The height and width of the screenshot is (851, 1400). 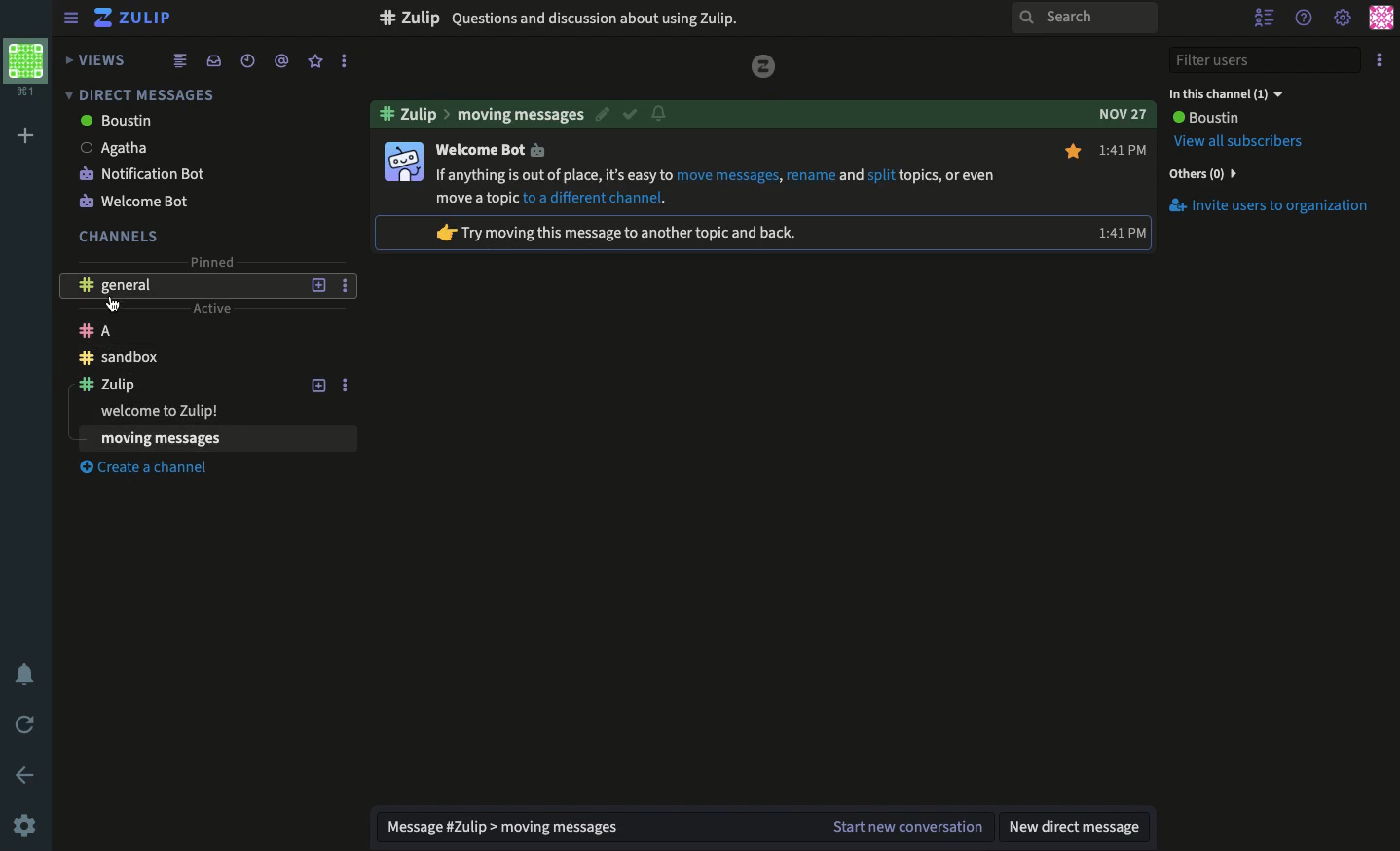 What do you see at coordinates (904, 828) in the screenshot?
I see `Start the conversation` at bounding box center [904, 828].